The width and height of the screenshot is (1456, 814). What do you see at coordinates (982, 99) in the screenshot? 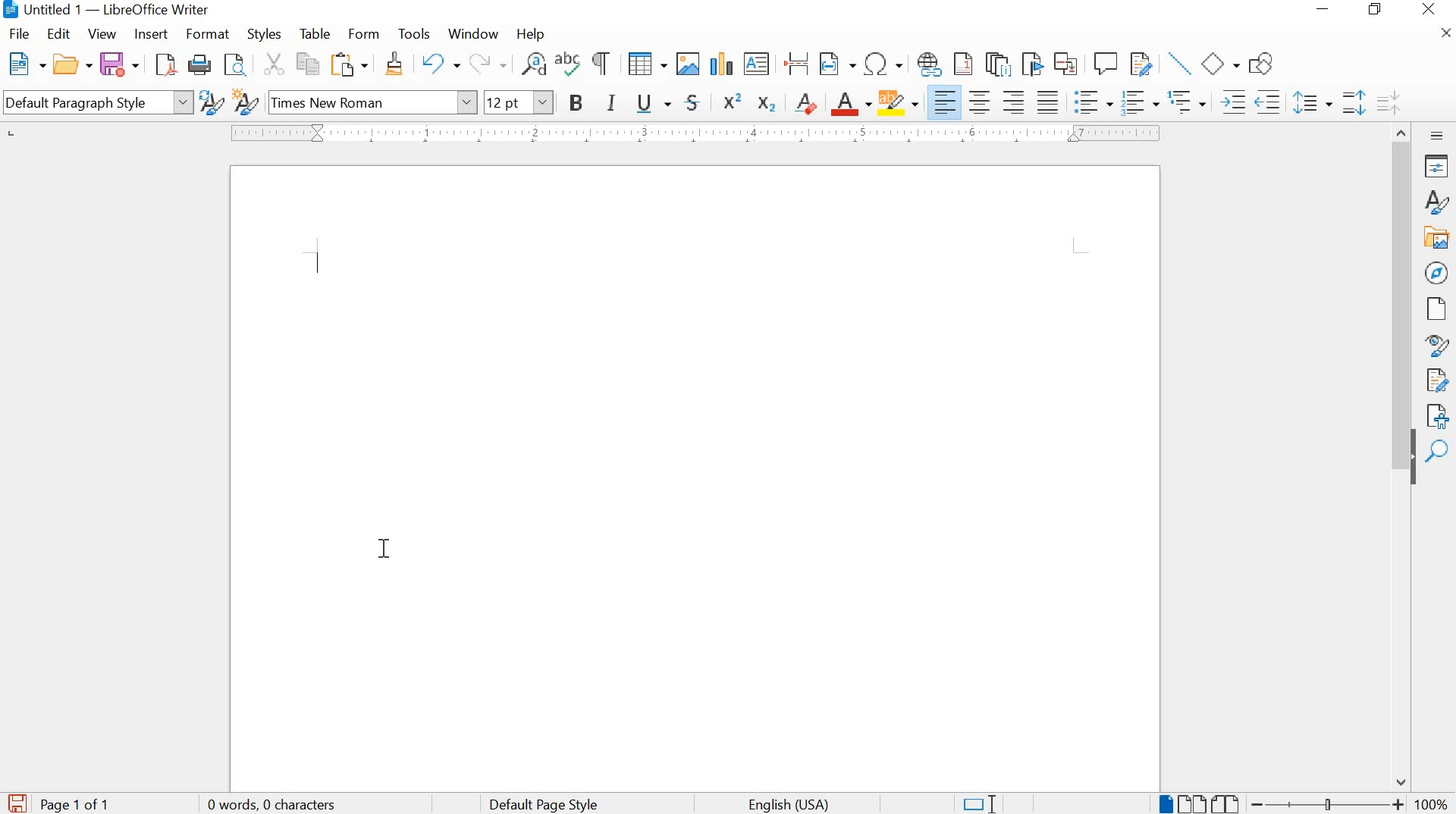
I see `ALIGN CENTER` at bounding box center [982, 99].